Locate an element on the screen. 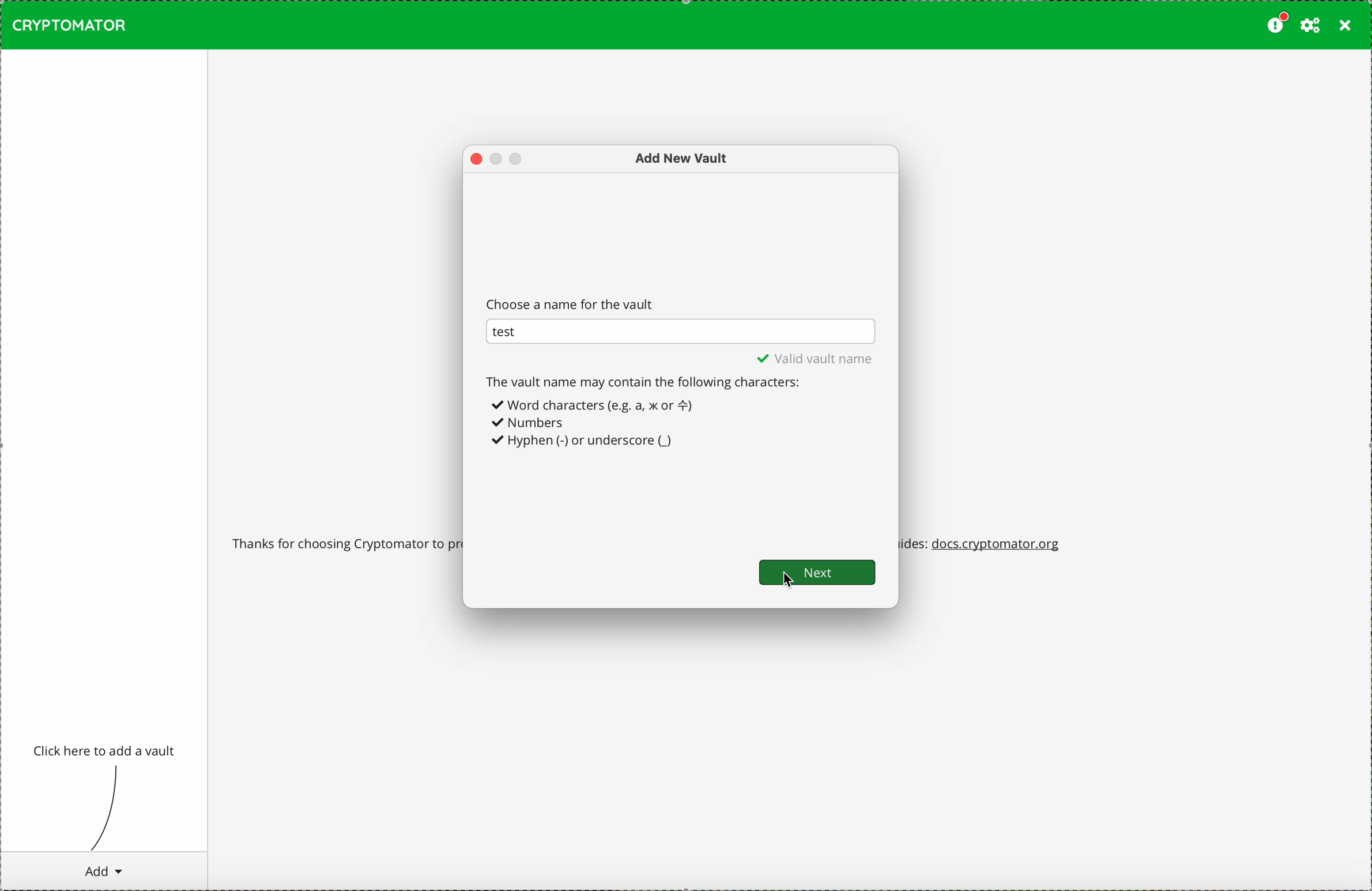  Numbers is located at coordinates (529, 424).